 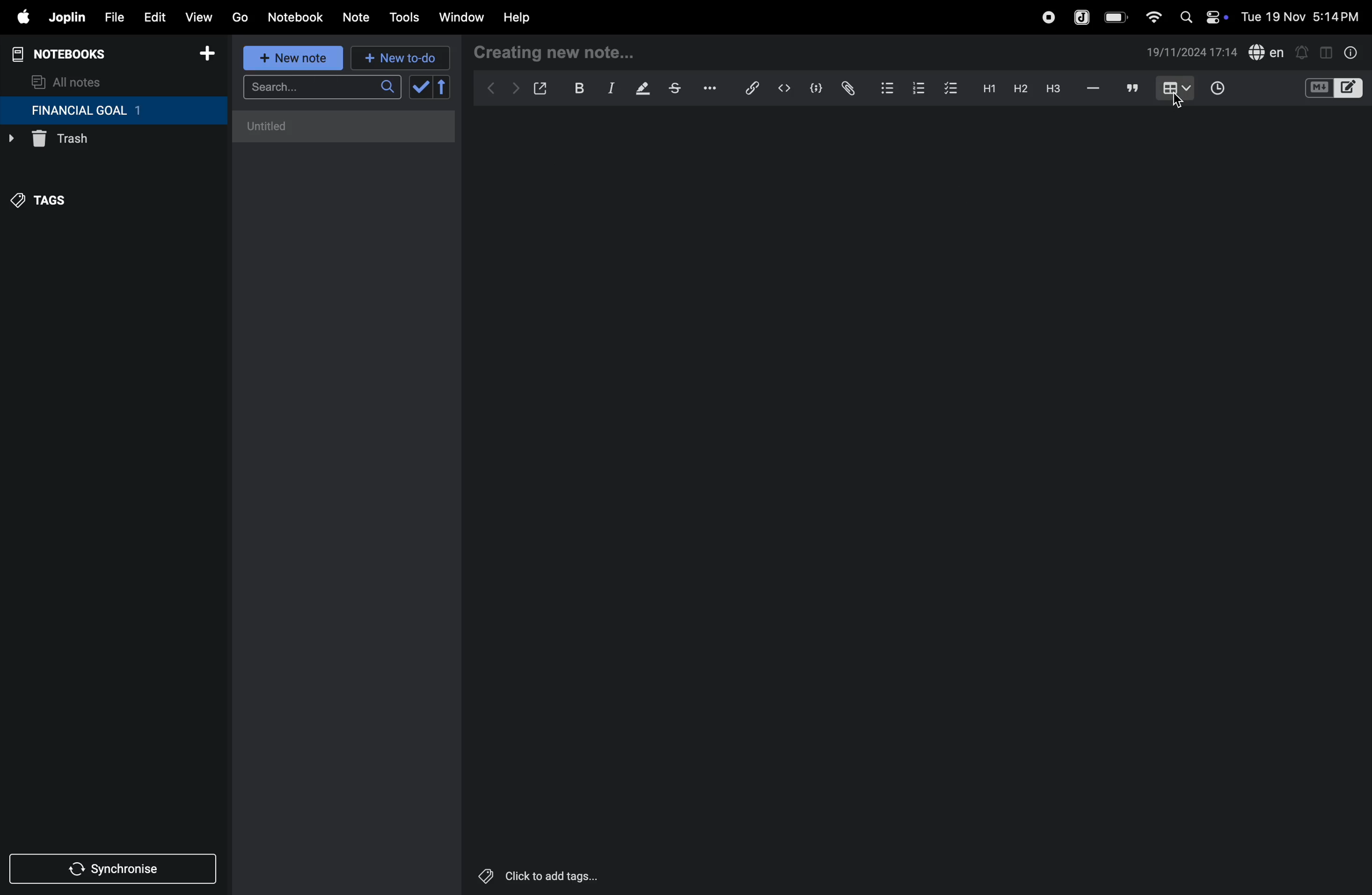 I want to click on open window, so click(x=539, y=88).